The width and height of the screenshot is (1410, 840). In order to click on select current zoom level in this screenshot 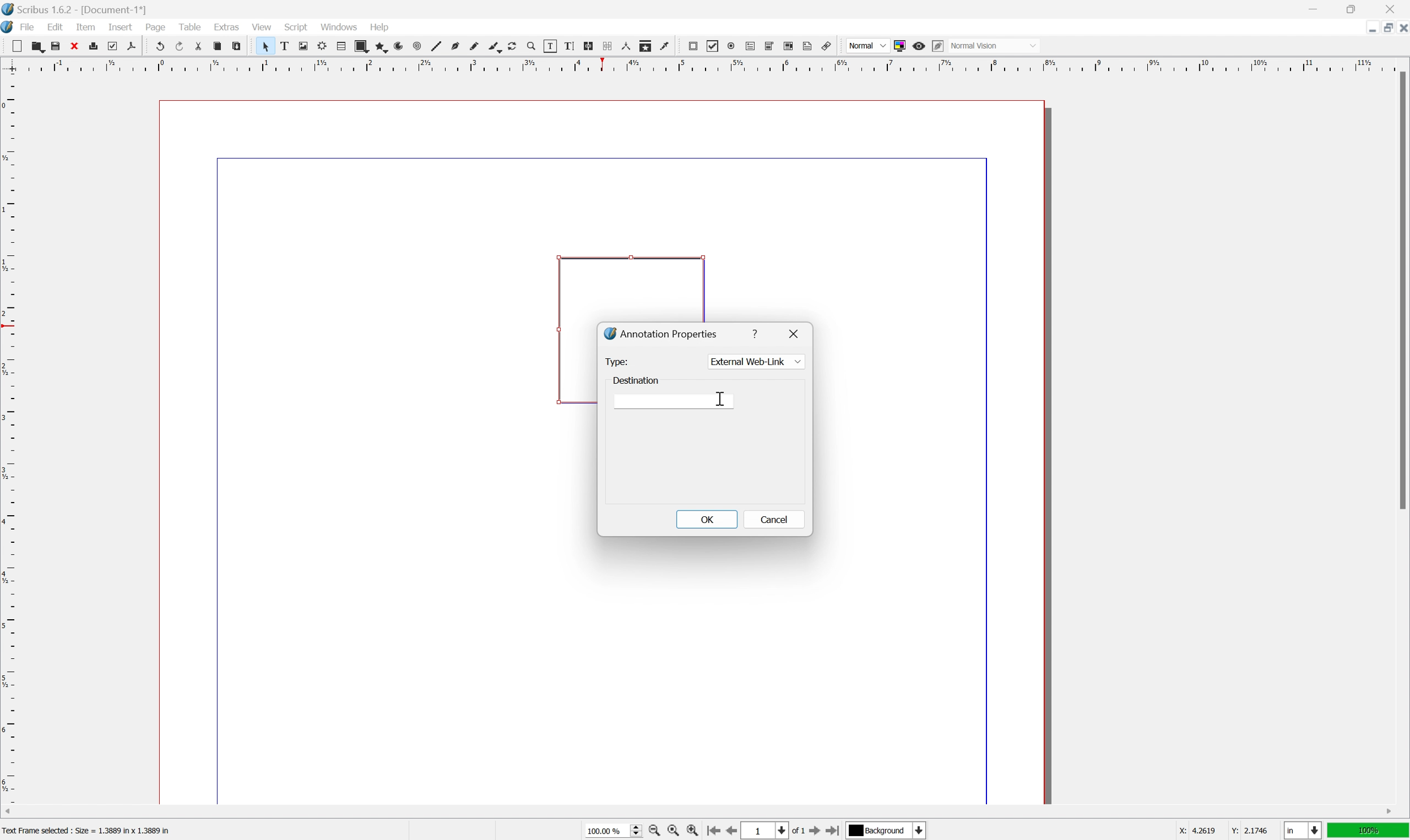, I will do `click(613, 830)`.